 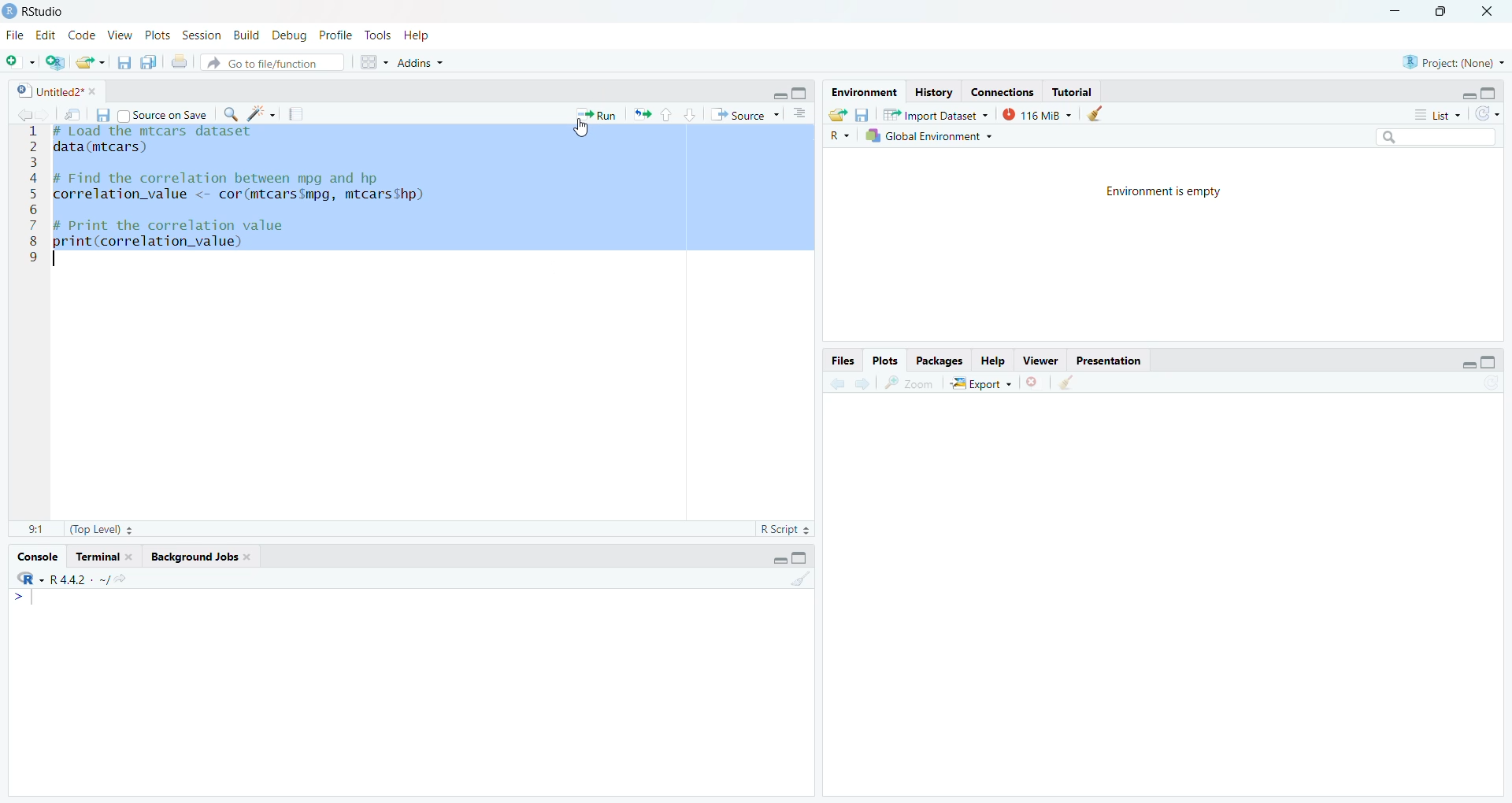 What do you see at coordinates (44, 113) in the screenshot?
I see `Go forward to the next source location (Ctrl + F10)` at bounding box center [44, 113].